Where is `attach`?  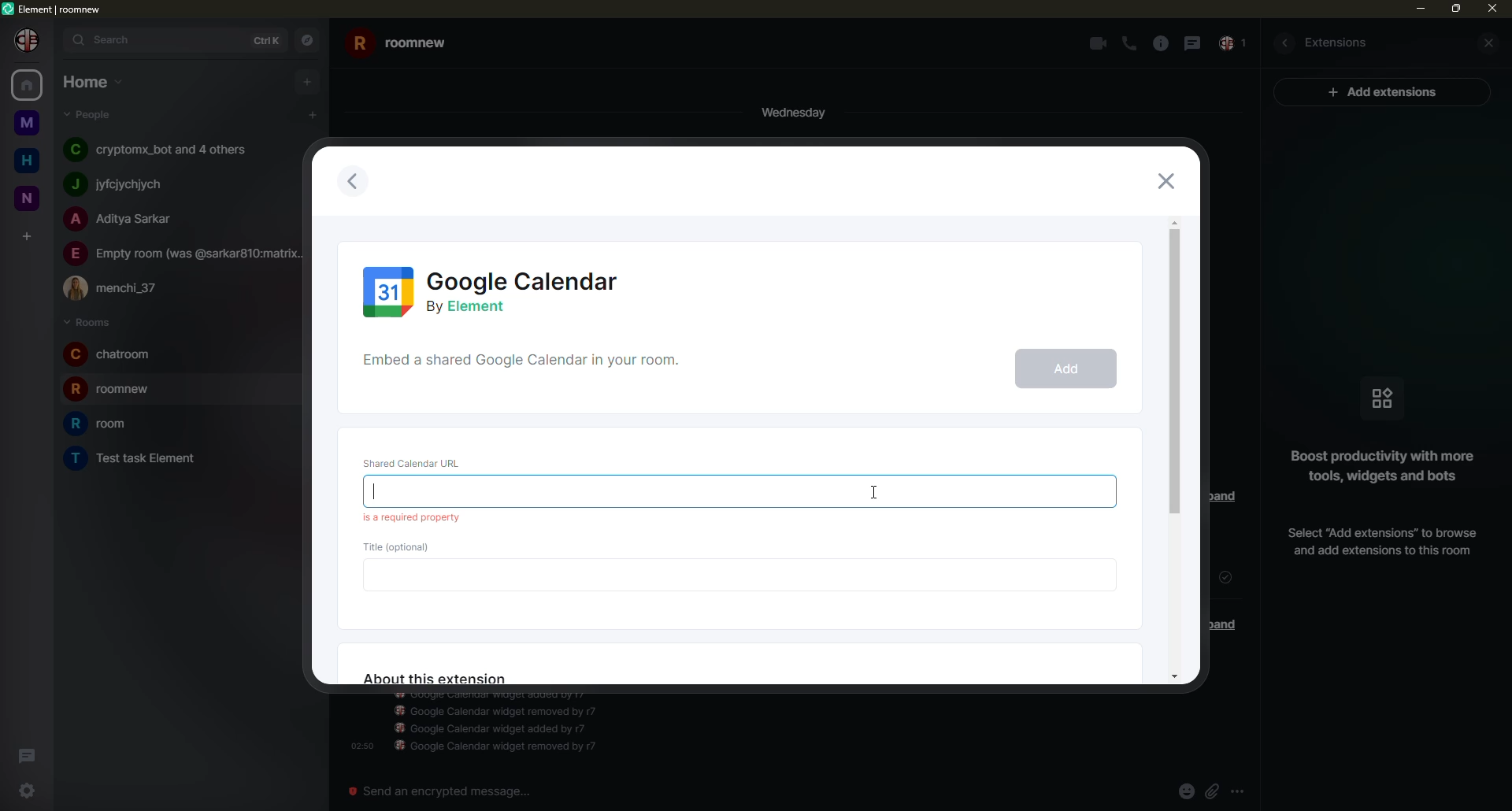
attach is located at coordinates (1210, 790).